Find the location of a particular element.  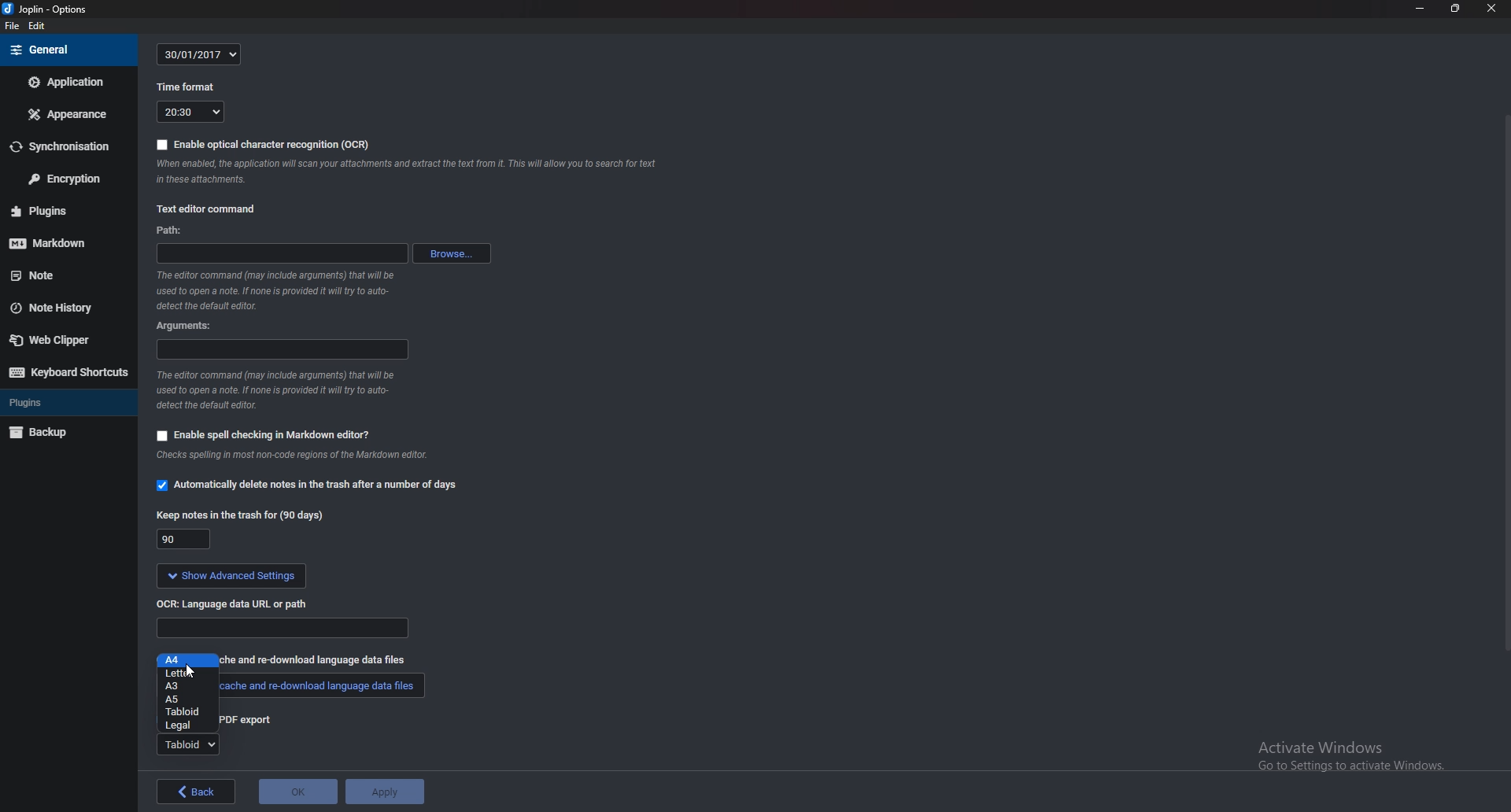

tabloid is located at coordinates (187, 712).